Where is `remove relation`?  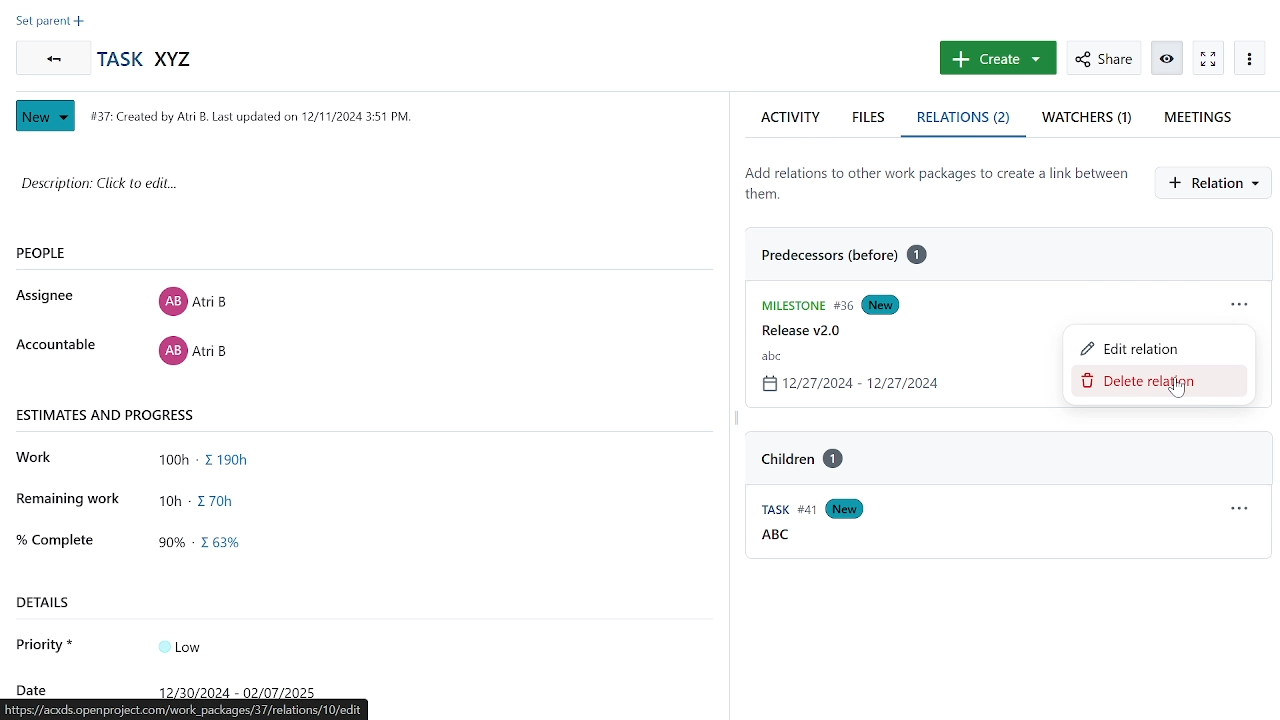
remove relation is located at coordinates (1158, 381).